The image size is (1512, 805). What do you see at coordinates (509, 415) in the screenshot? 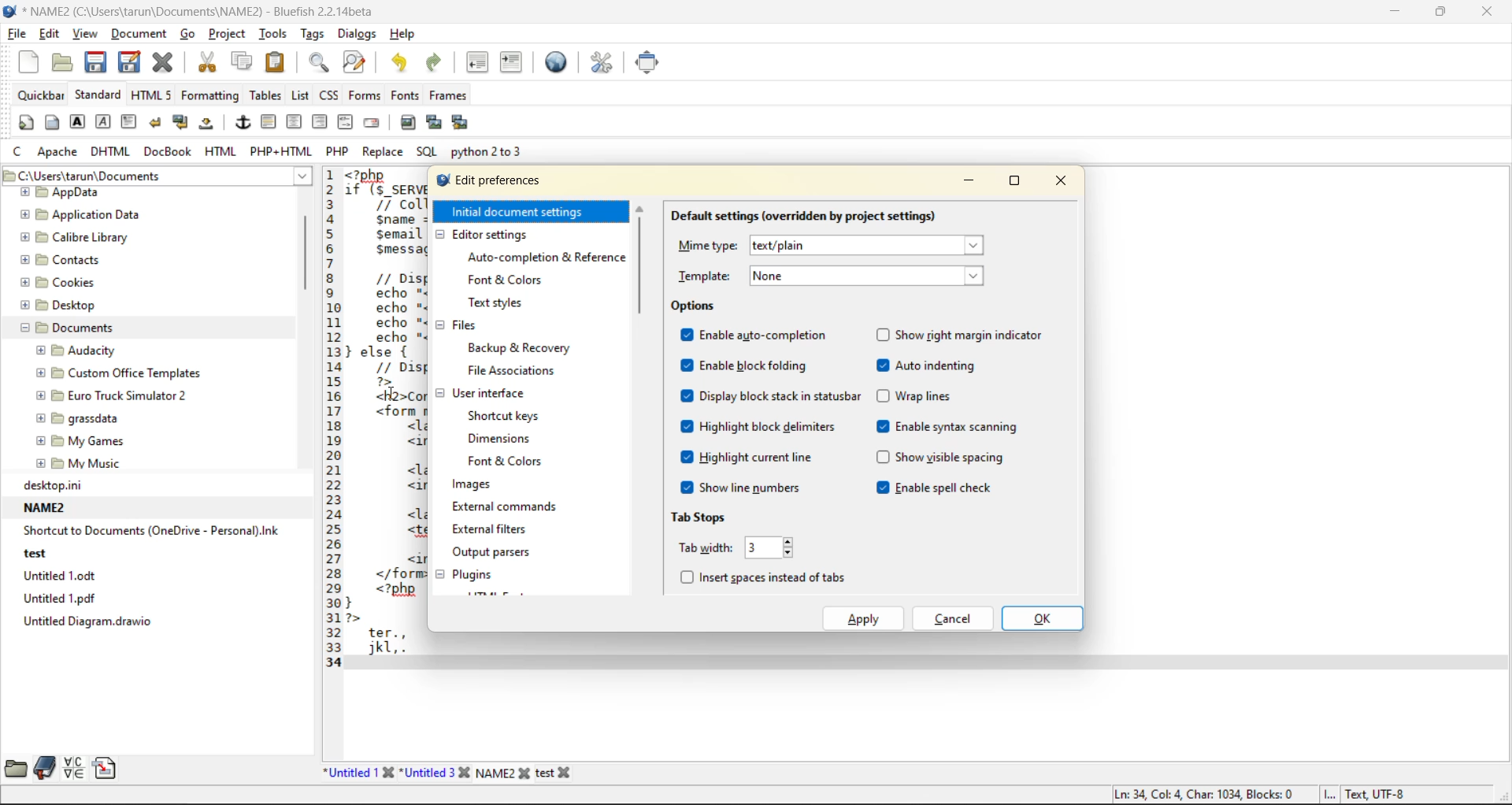
I see `shortcut keys` at bounding box center [509, 415].